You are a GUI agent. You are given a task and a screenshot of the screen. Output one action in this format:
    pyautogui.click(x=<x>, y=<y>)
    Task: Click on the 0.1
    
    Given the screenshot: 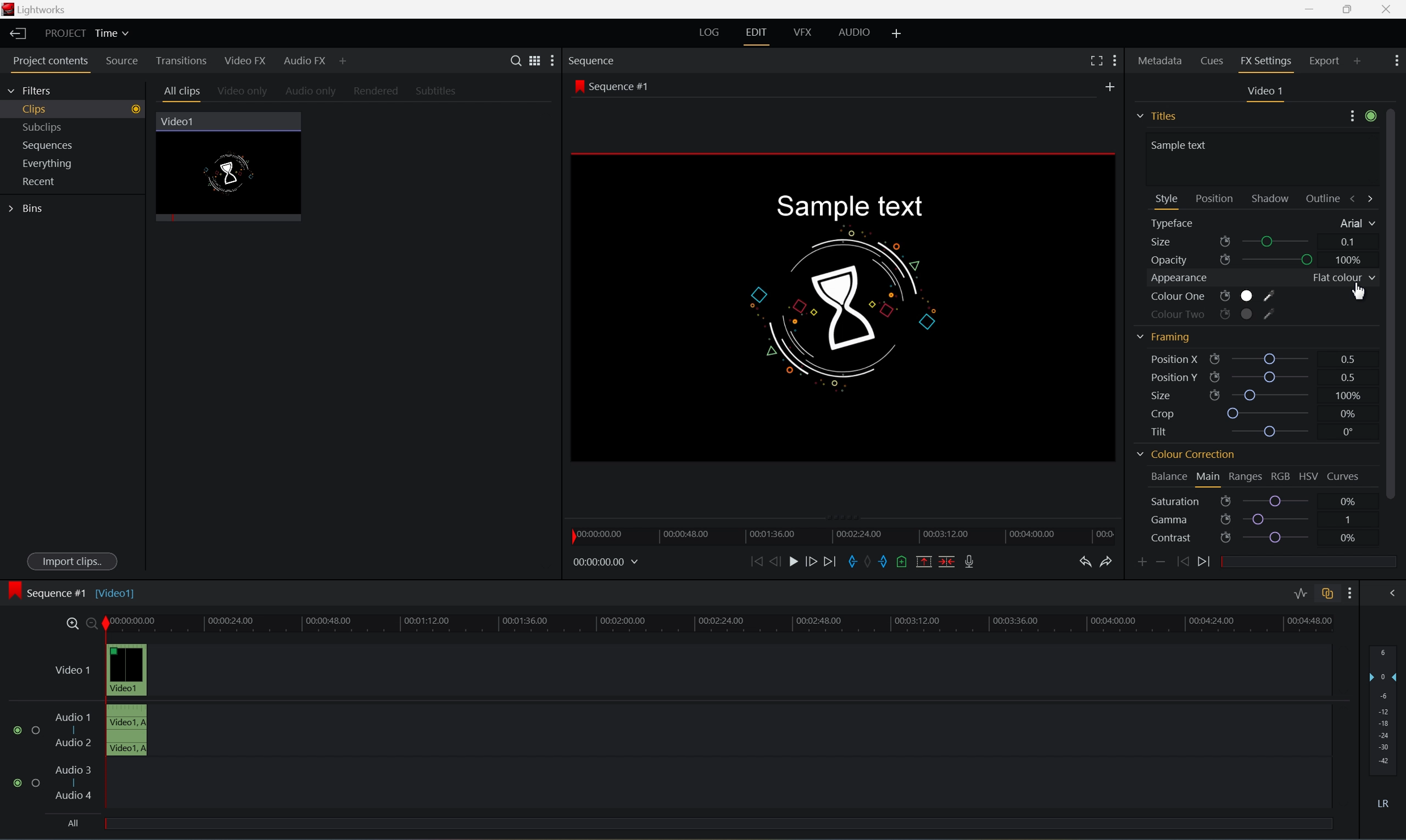 What is the action you would take?
    pyautogui.click(x=1349, y=242)
    